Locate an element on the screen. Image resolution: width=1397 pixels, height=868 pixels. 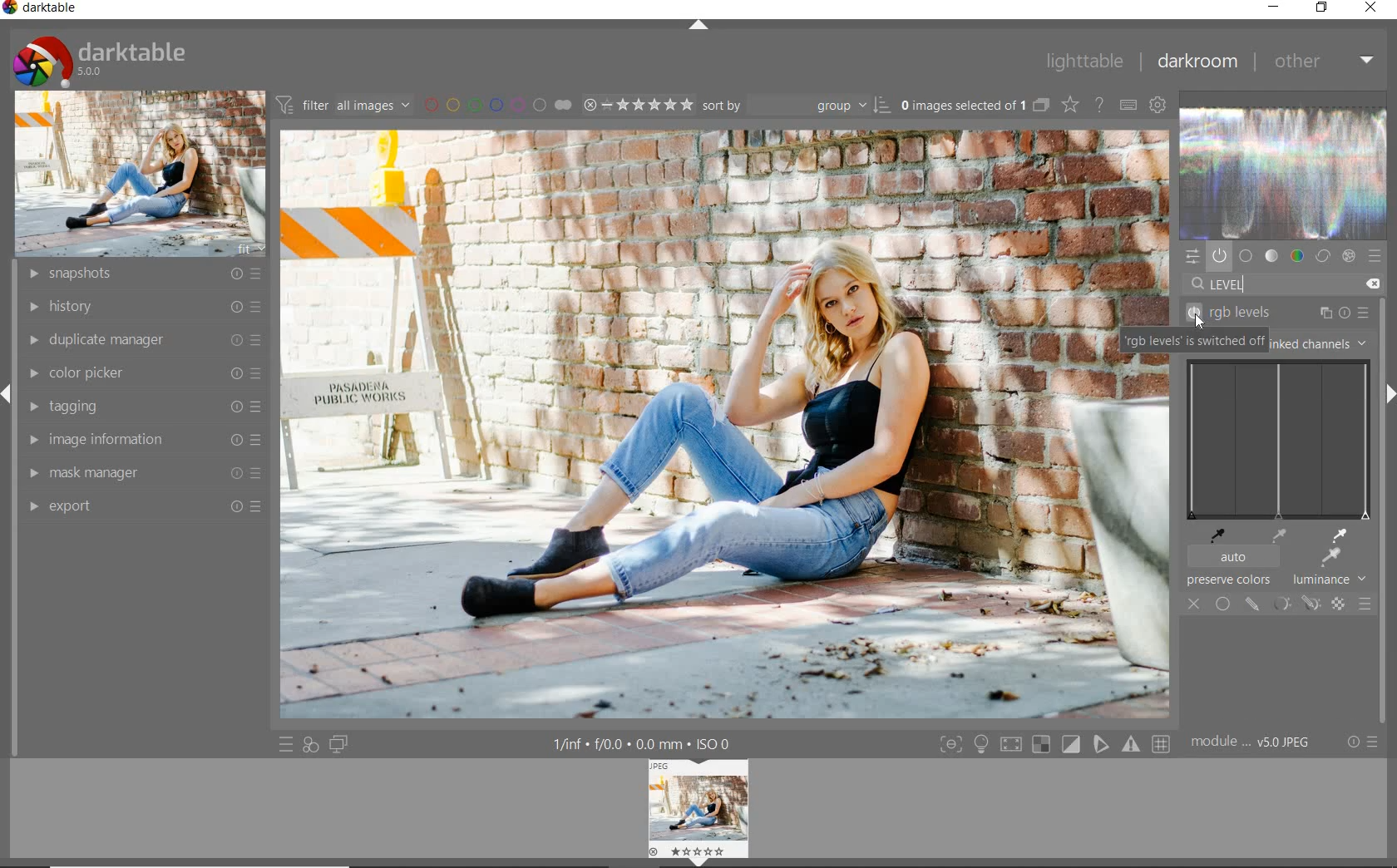
image information is located at coordinates (141, 441).